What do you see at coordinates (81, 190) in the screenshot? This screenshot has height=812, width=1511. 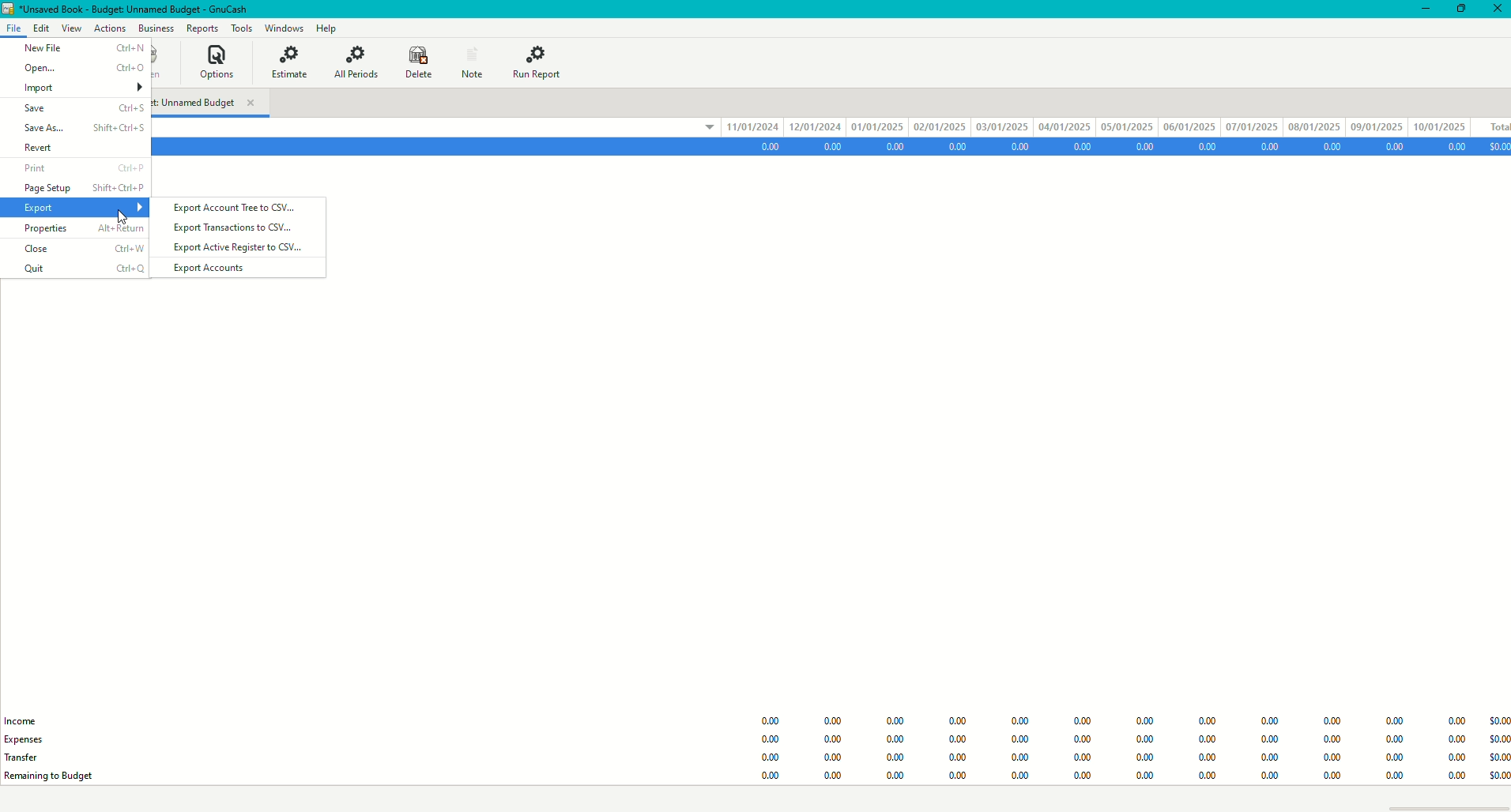 I see `Page Setup` at bounding box center [81, 190].